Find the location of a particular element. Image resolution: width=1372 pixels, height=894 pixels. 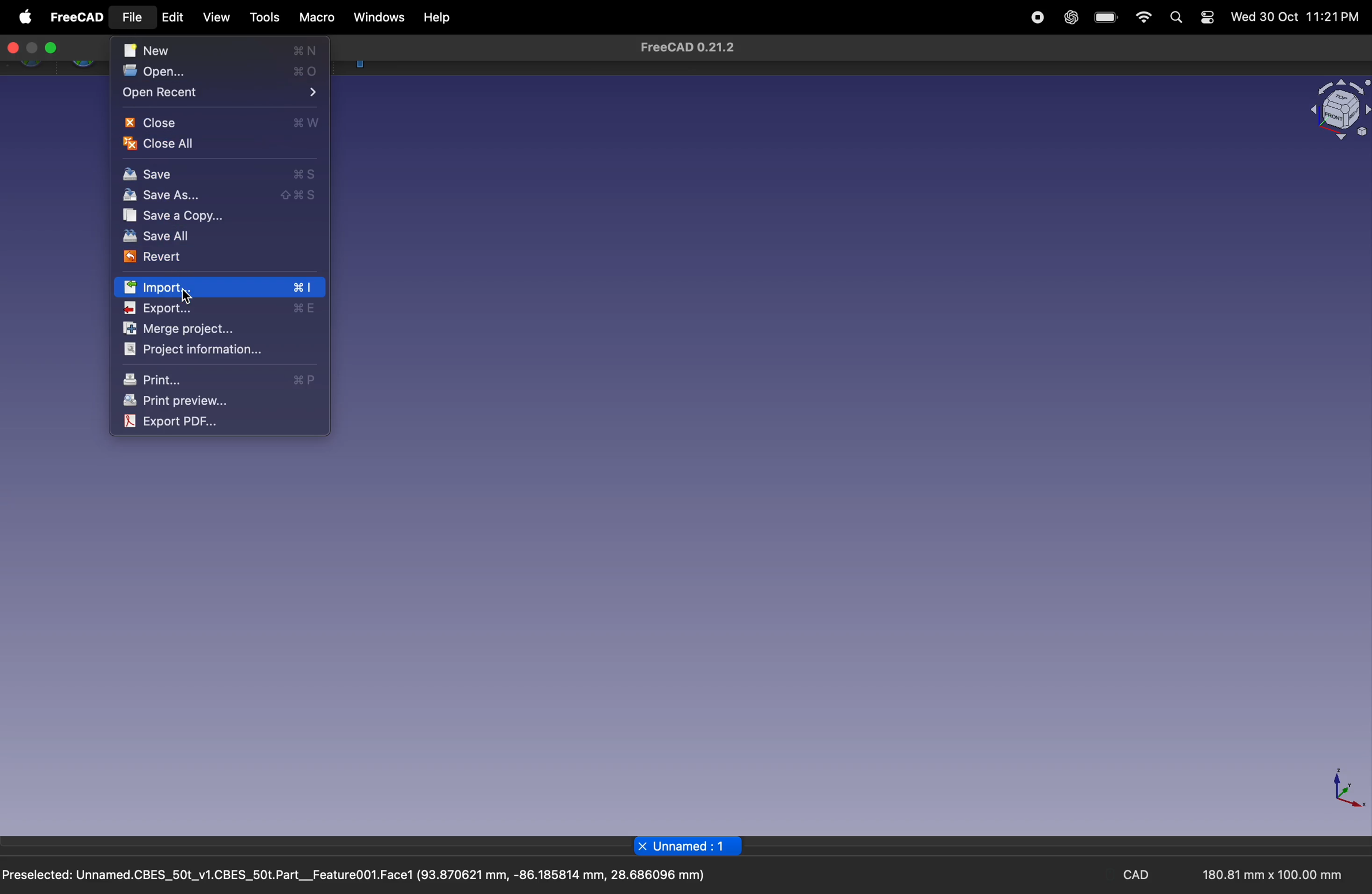

edit is located at coordinates (176, 21).